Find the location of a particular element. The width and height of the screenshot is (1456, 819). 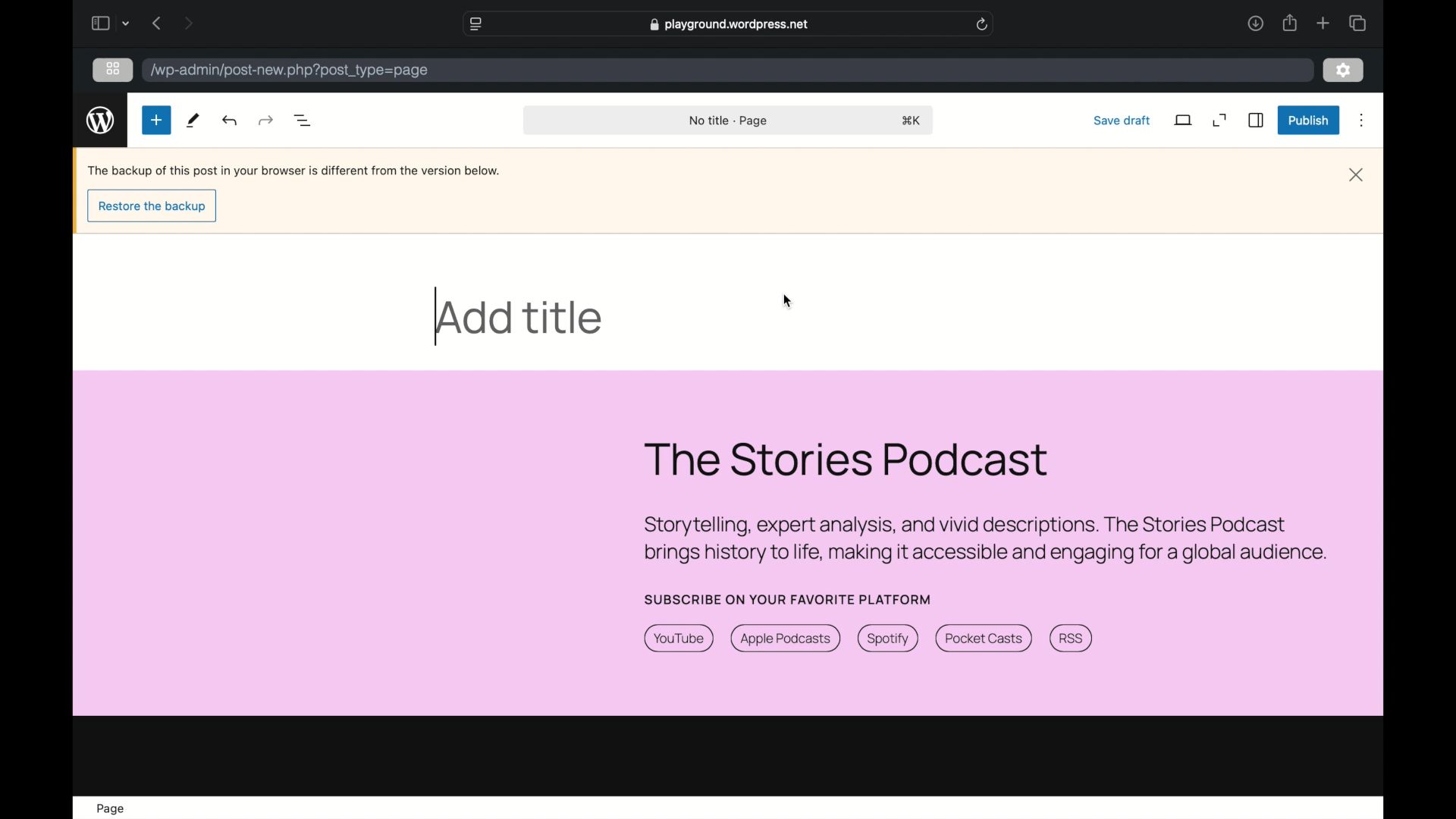

refresh is located at coordinates (983, 24).